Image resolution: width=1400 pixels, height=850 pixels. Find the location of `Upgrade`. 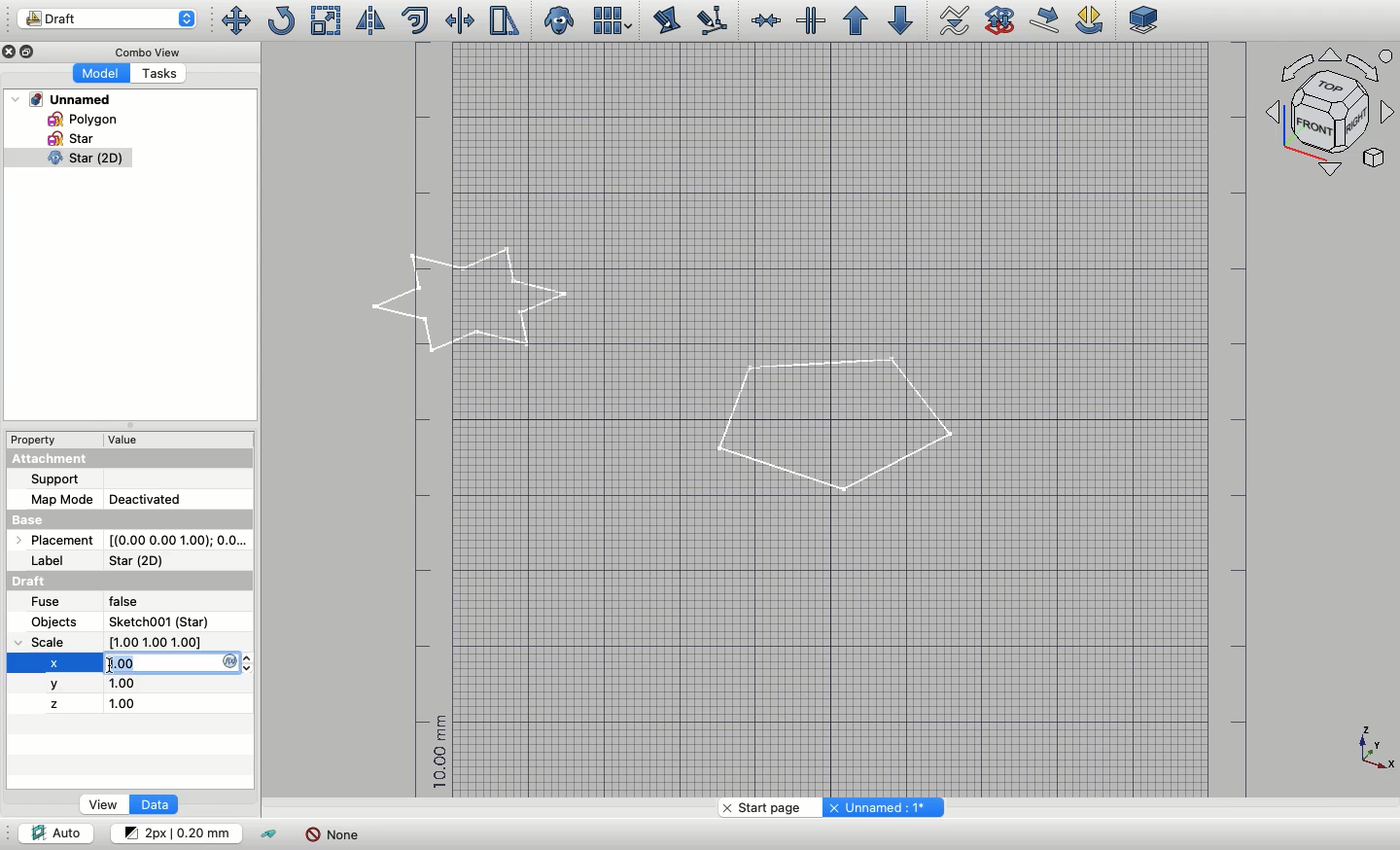

Upgrade is located at coordinates (856, 21).